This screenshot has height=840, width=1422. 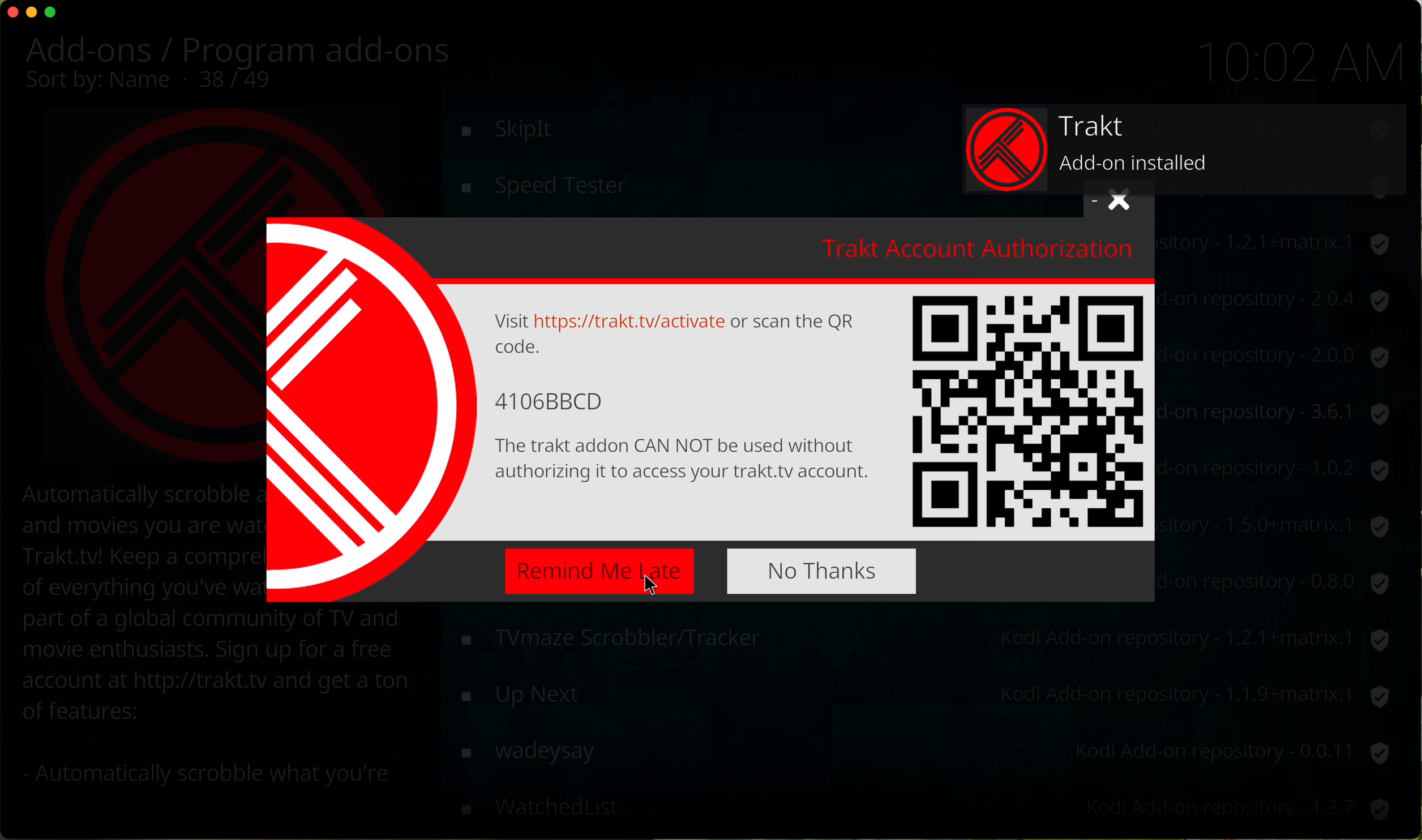 I want to click on program add-ons, so click(x=319, y=46).